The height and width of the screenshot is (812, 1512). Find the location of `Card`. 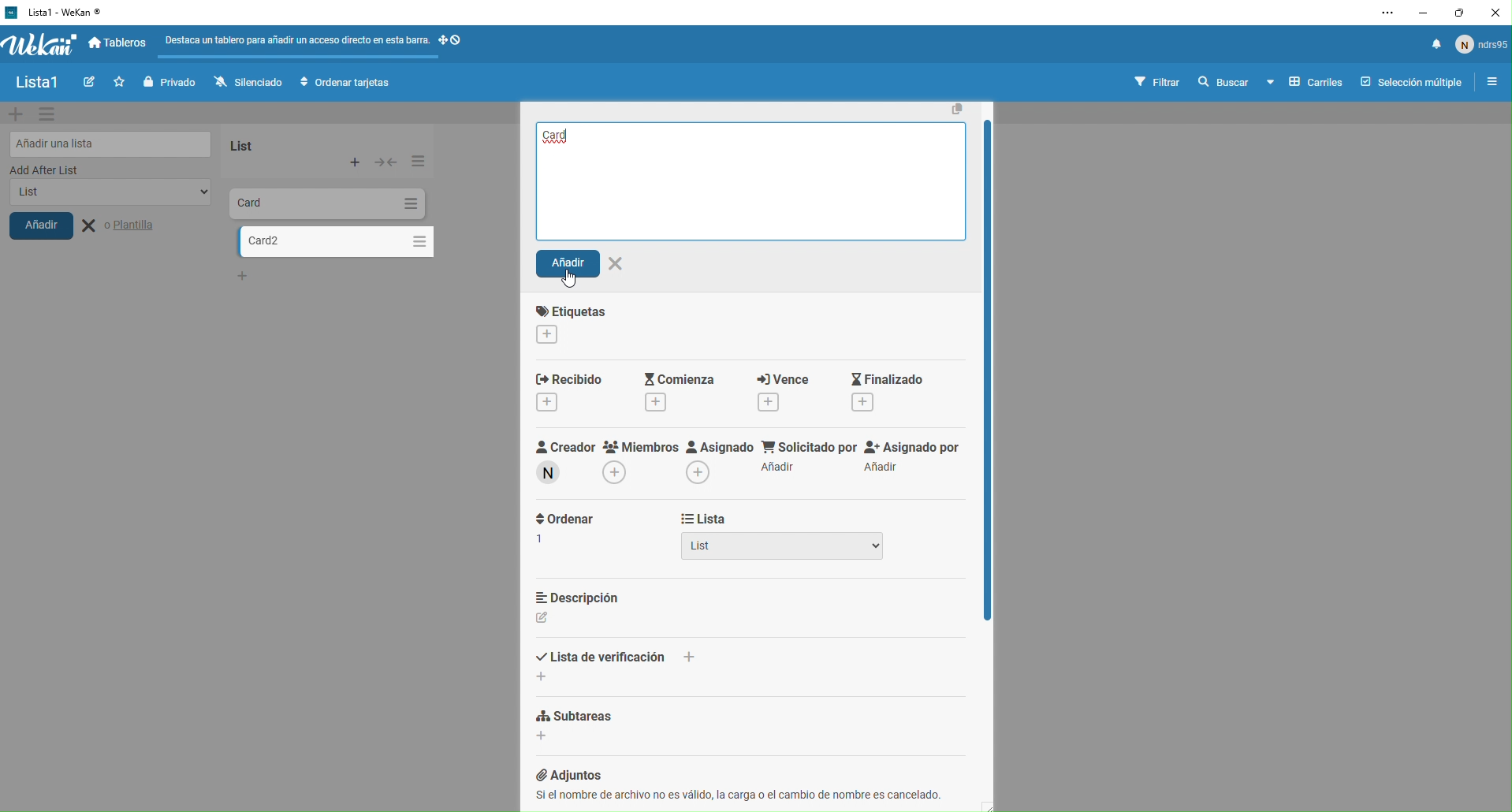

Card is located at coordinates (290, 202).